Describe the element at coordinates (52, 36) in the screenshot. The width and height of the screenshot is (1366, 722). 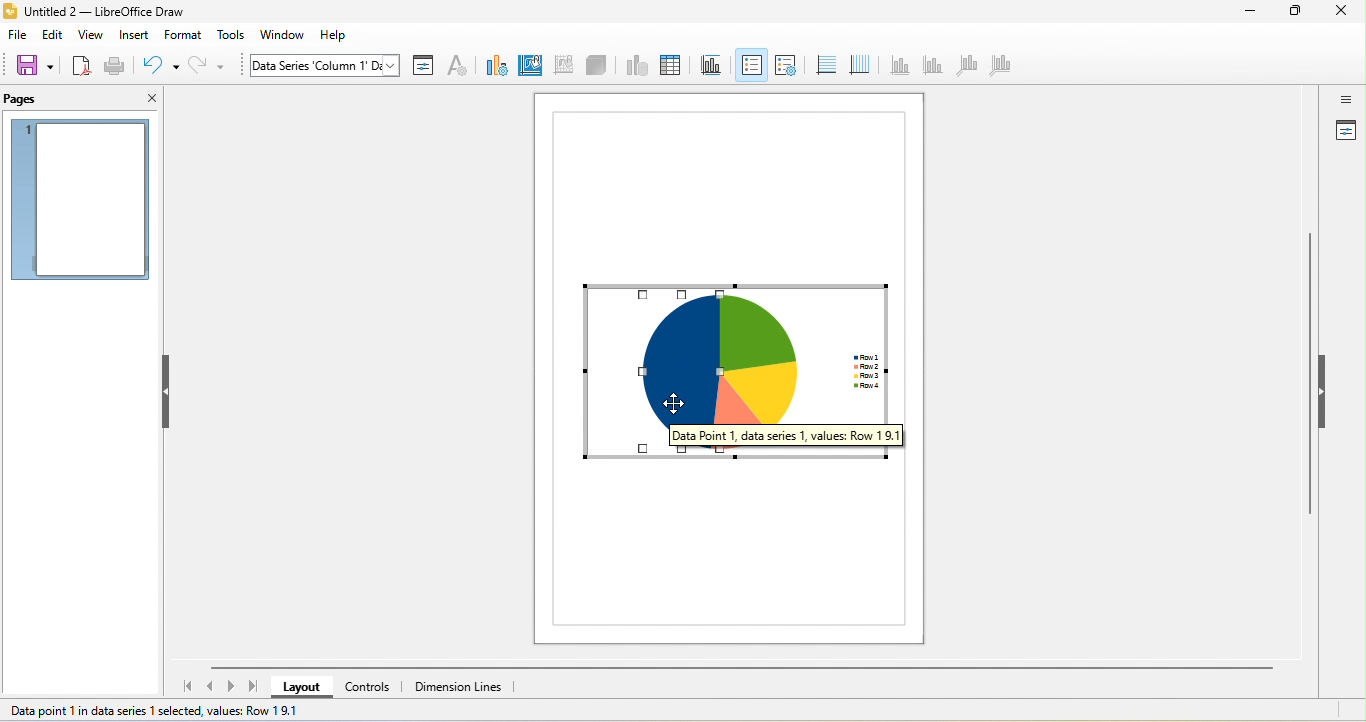
I see `edit` at that location.